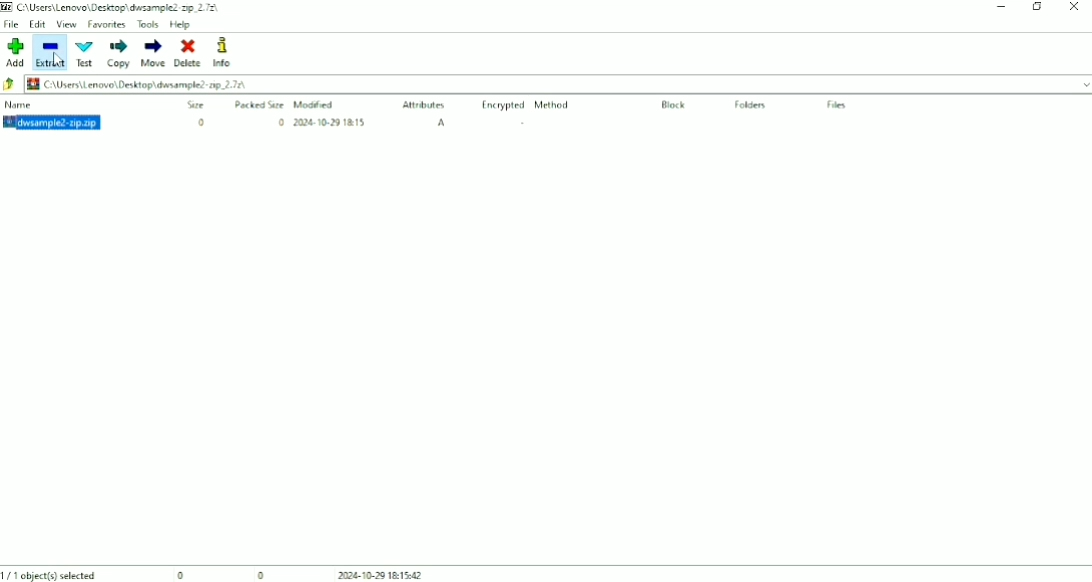  What do you see at coordinates (1039, 7) in the screenshot?
I see `Restore Down` at bounding box center [1039, 7].